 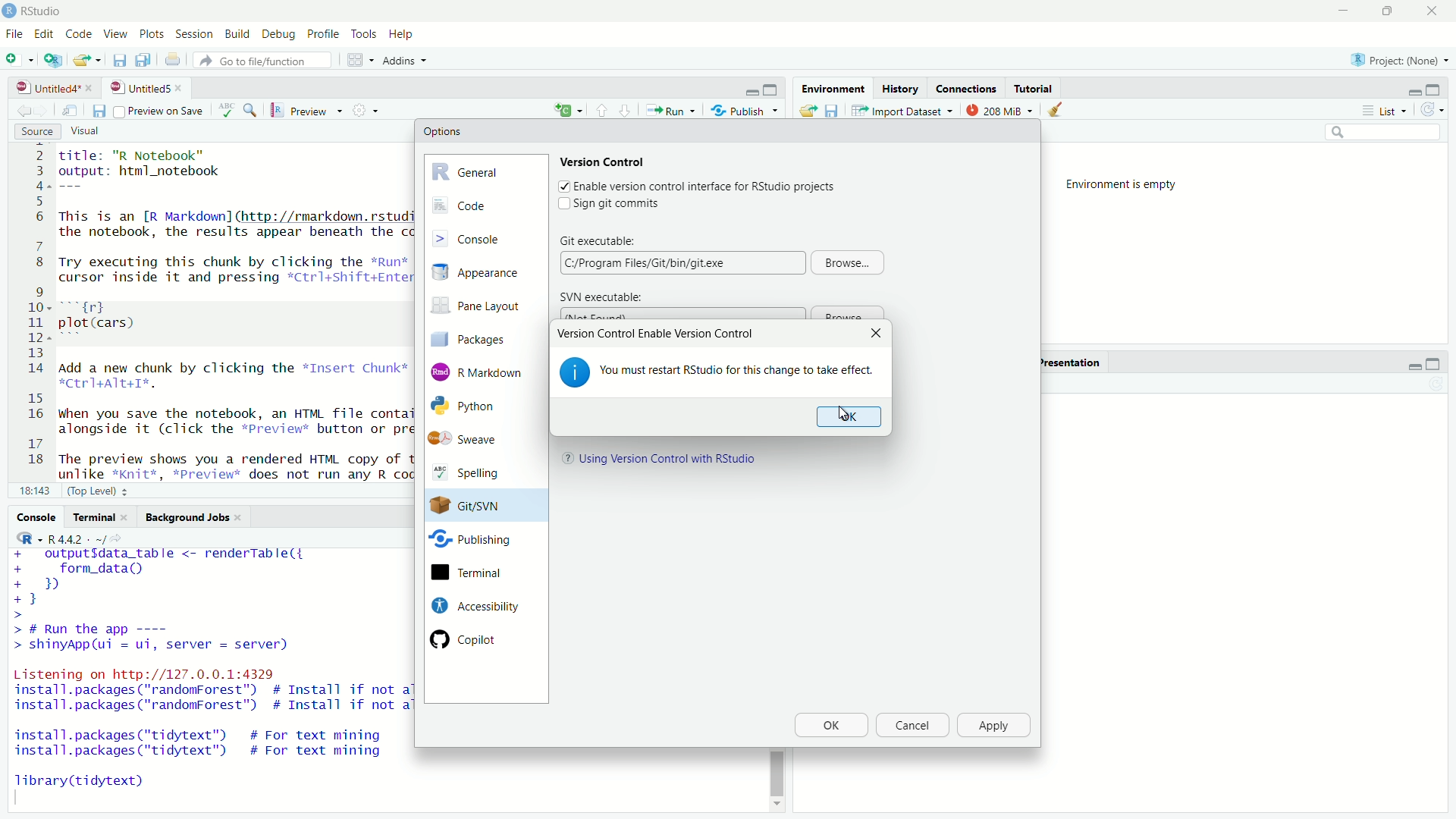 What do you see at coordinates (1433, 365) in the screenshot?
I see `maximize` at bounding box center [1433, 365].